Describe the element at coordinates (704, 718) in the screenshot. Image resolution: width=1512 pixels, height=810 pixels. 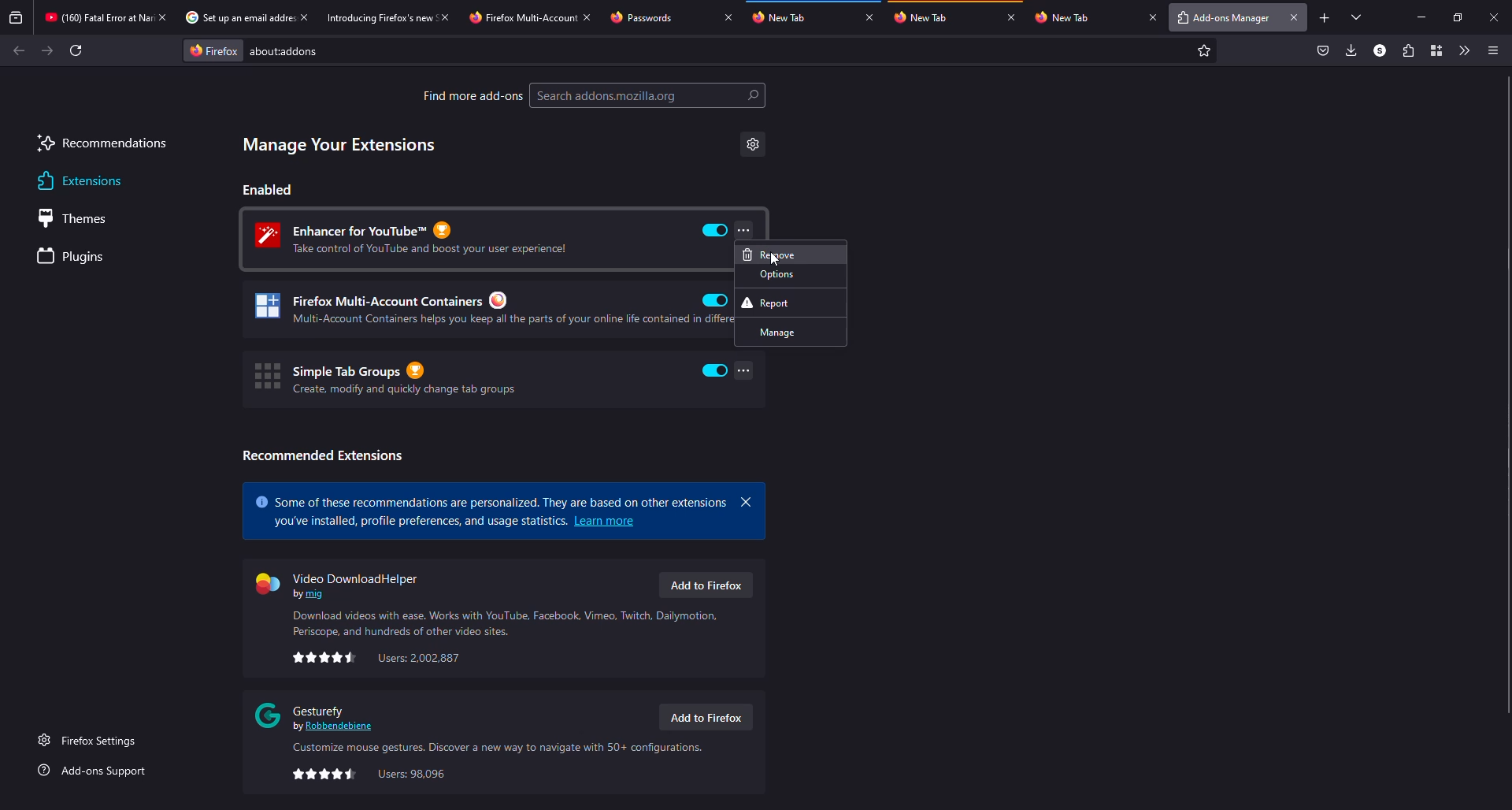
I see `add to firefox` at that location.